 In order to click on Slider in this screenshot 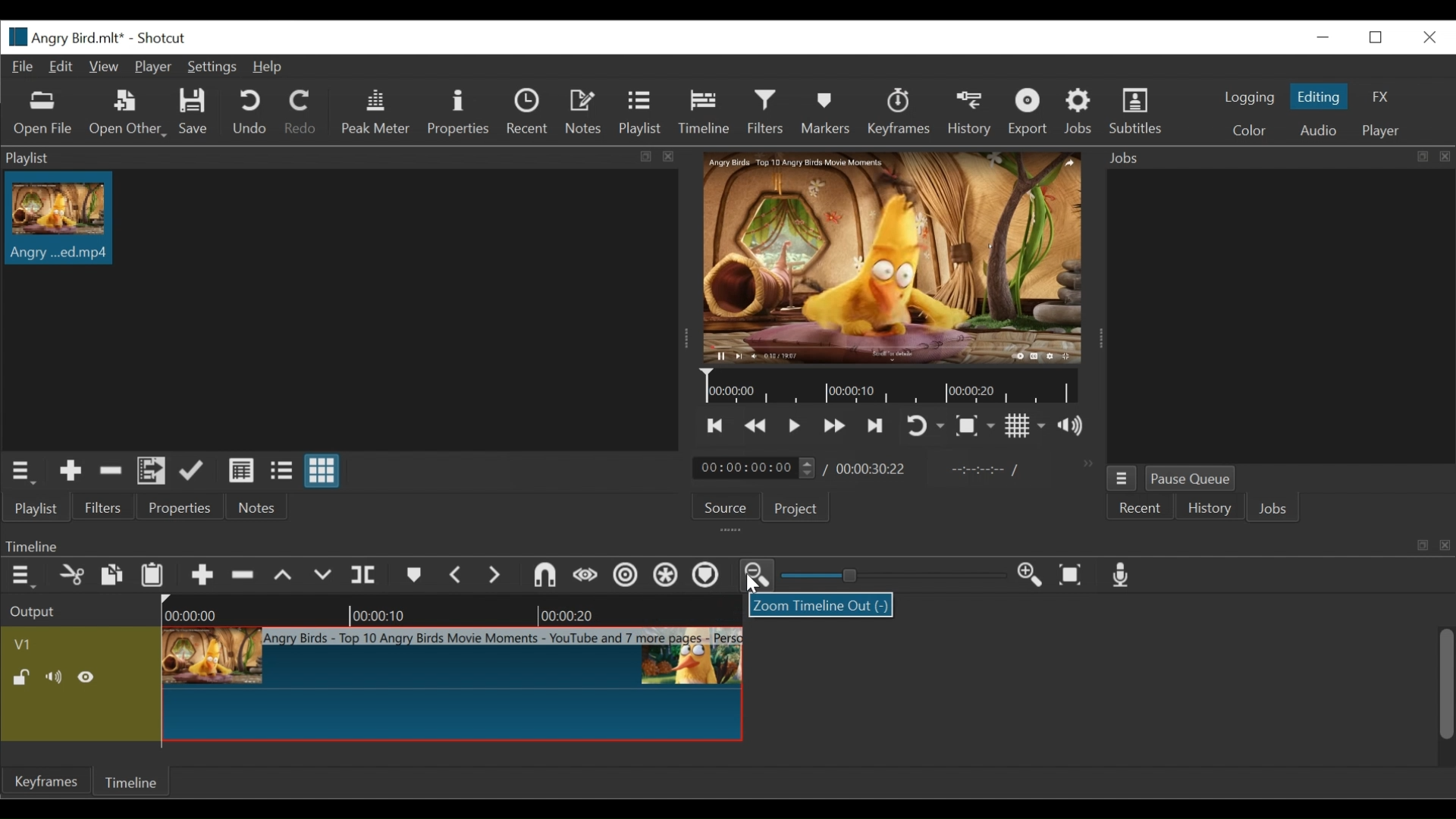, I will do `click(894, 576)`.